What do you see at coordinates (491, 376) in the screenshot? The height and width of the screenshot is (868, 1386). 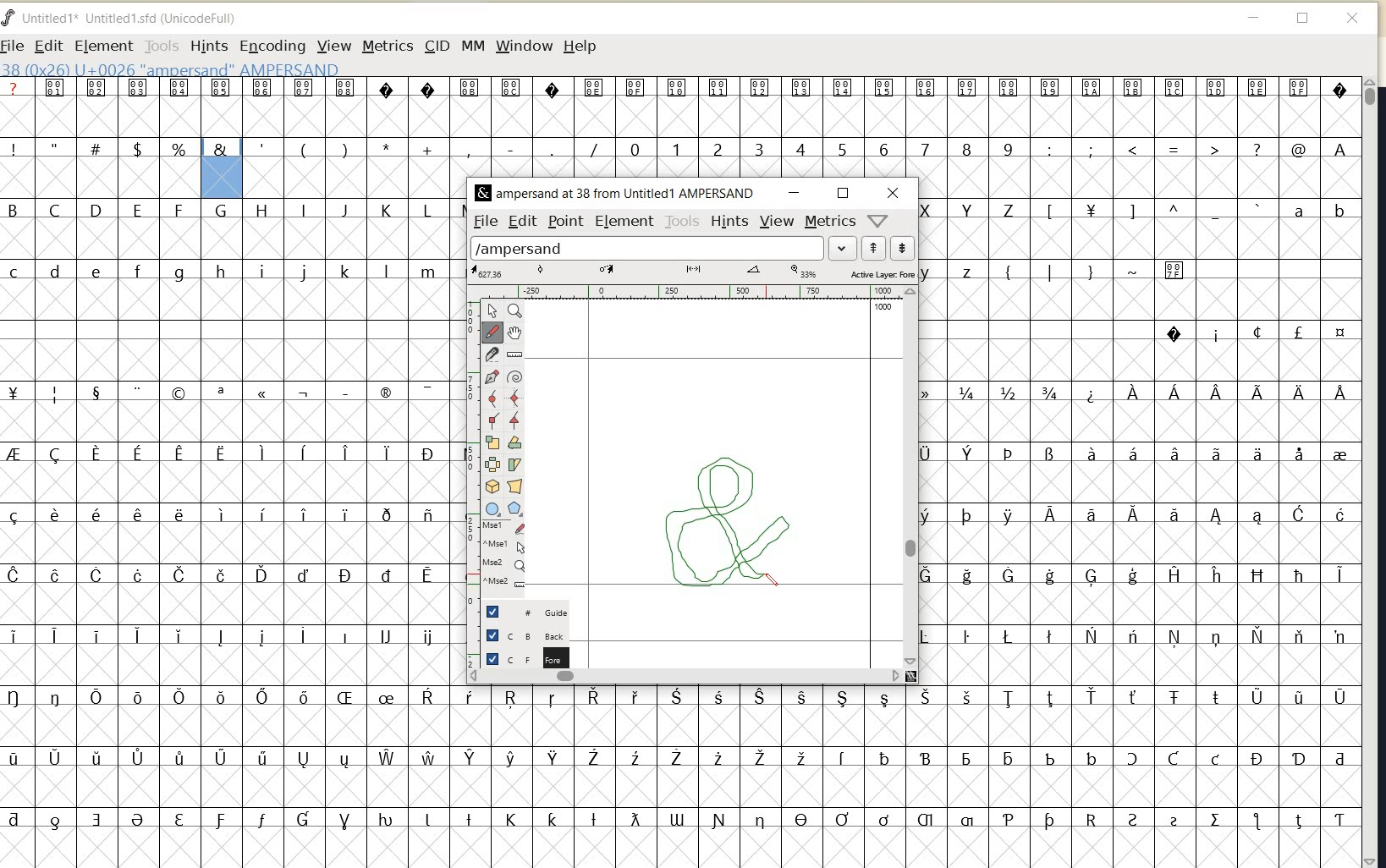 I see `add a point, then drag out its control points` at bounding box center [491, 376].